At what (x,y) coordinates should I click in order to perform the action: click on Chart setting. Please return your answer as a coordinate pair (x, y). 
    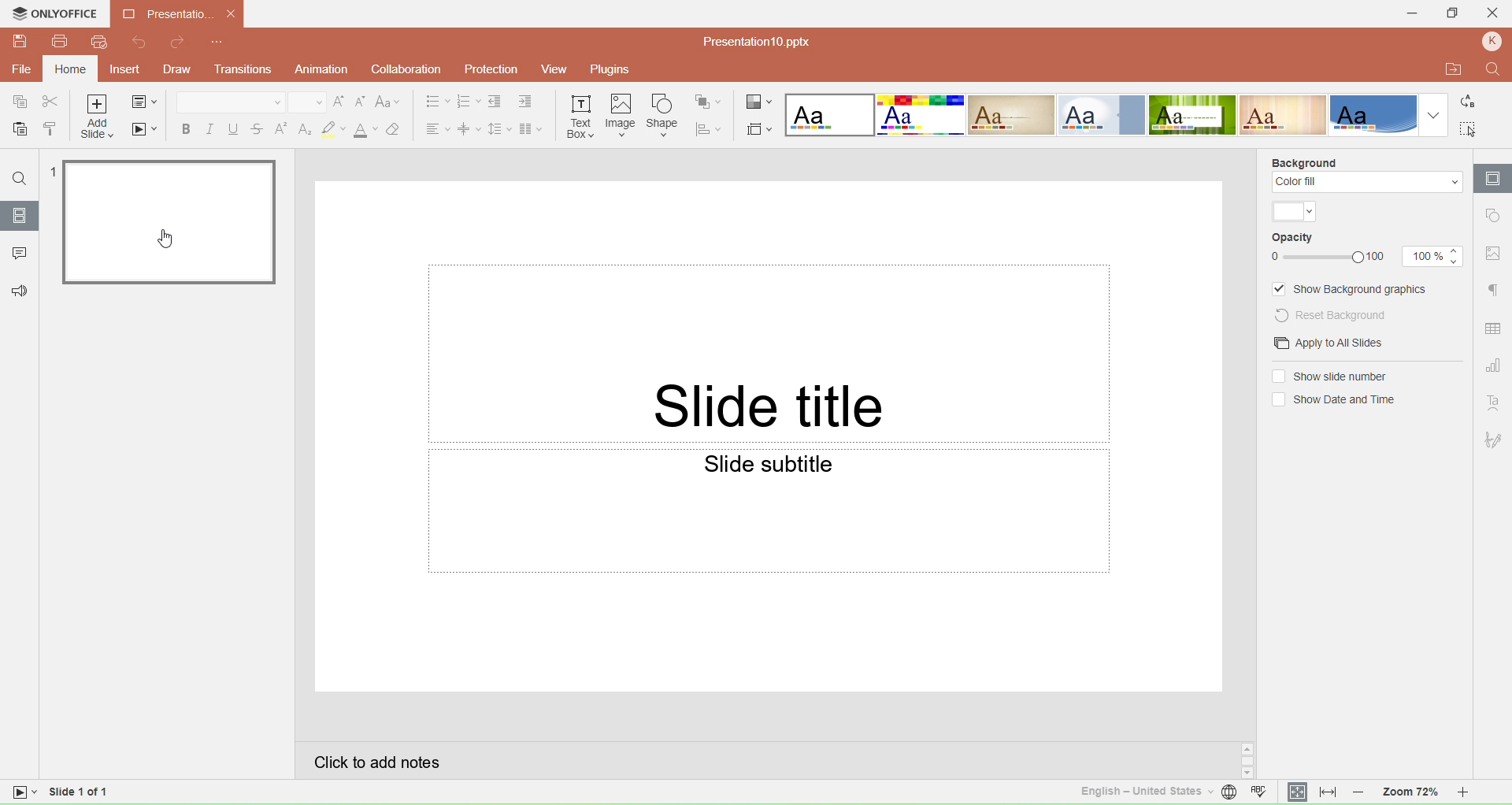
    Looking at the image, I should click on (1495, 363).